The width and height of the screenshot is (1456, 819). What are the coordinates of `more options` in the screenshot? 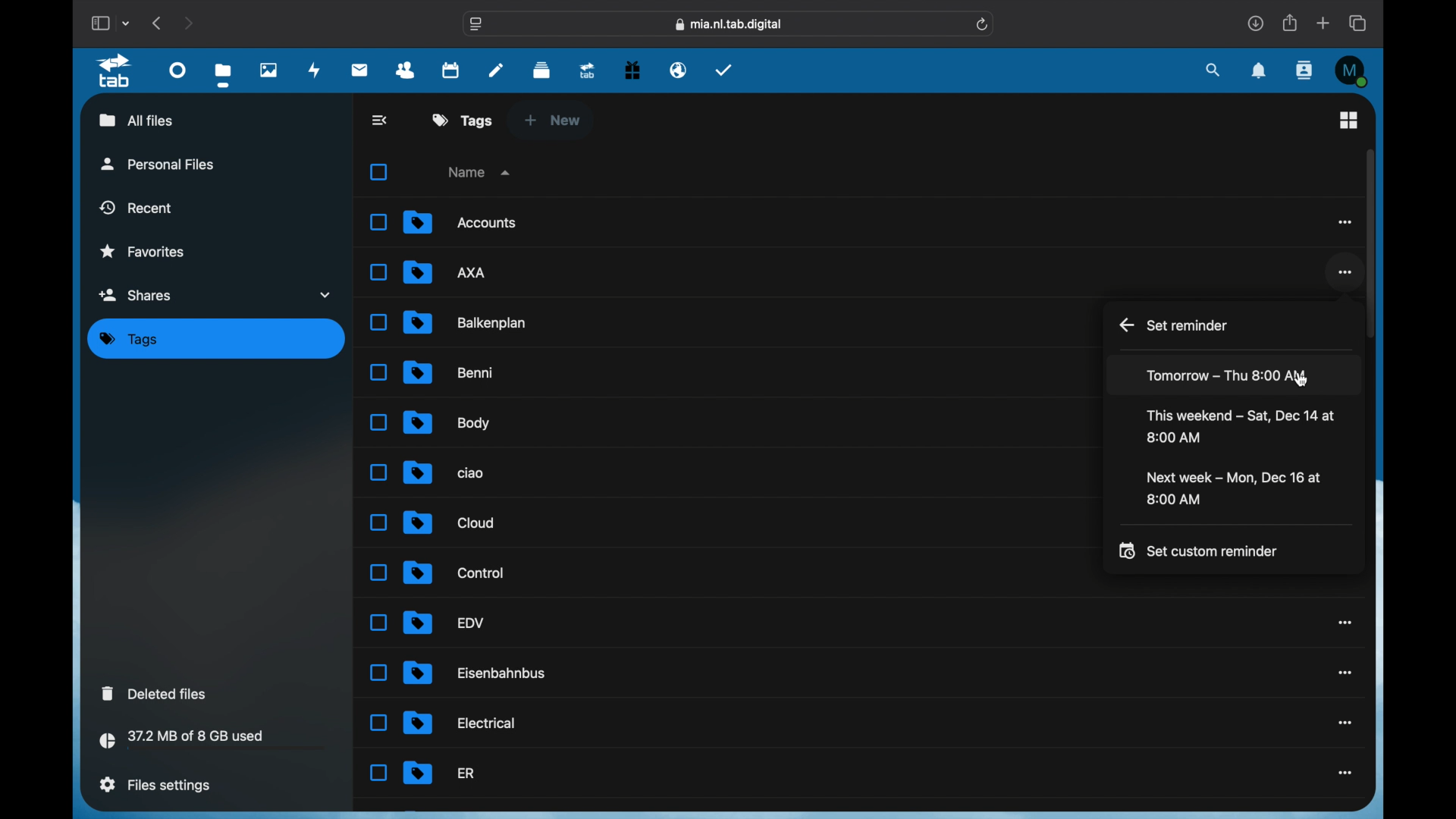 It's located at (1346, 673).